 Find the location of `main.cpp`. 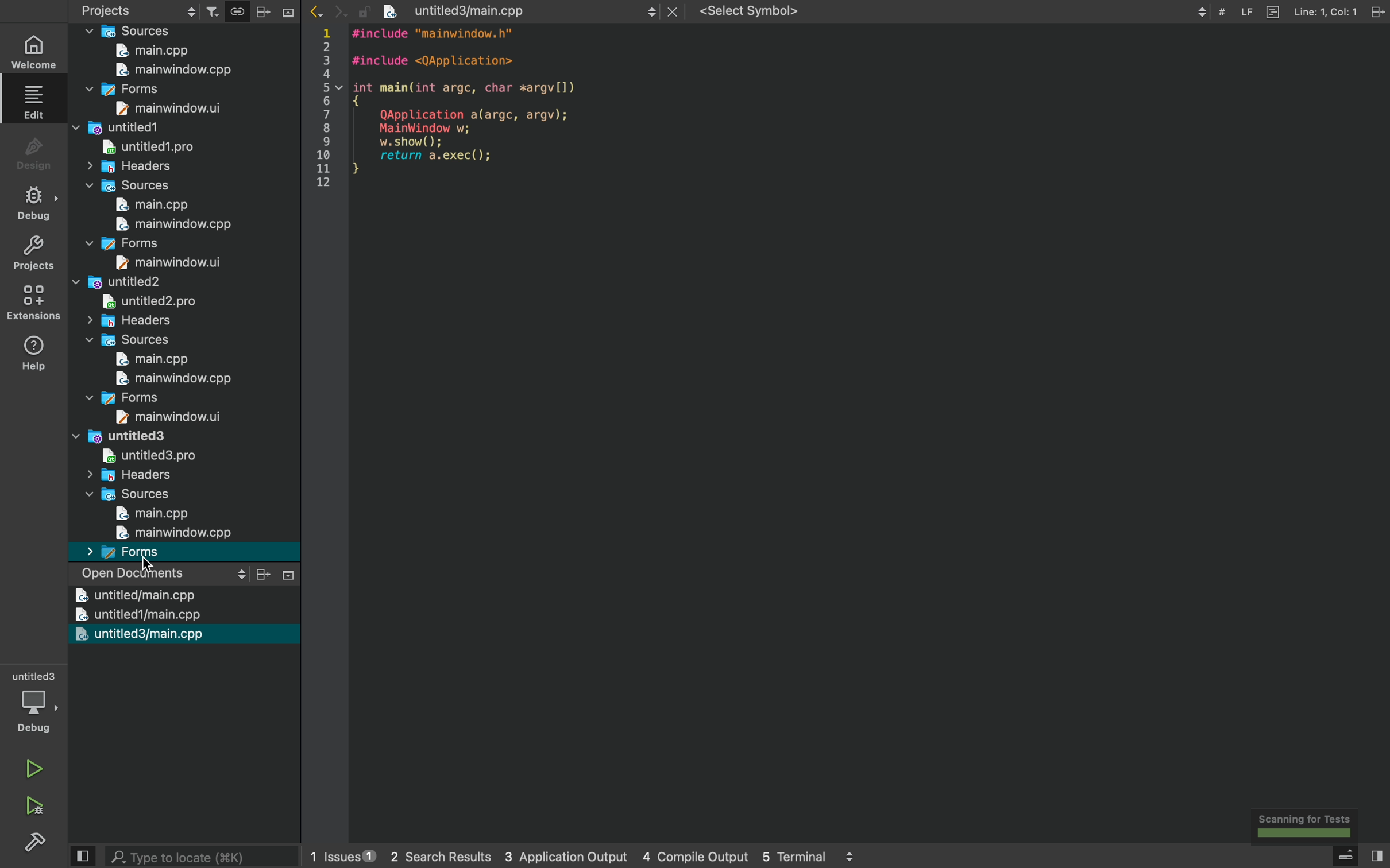

main.cpp is located at coordinates (153, 359).